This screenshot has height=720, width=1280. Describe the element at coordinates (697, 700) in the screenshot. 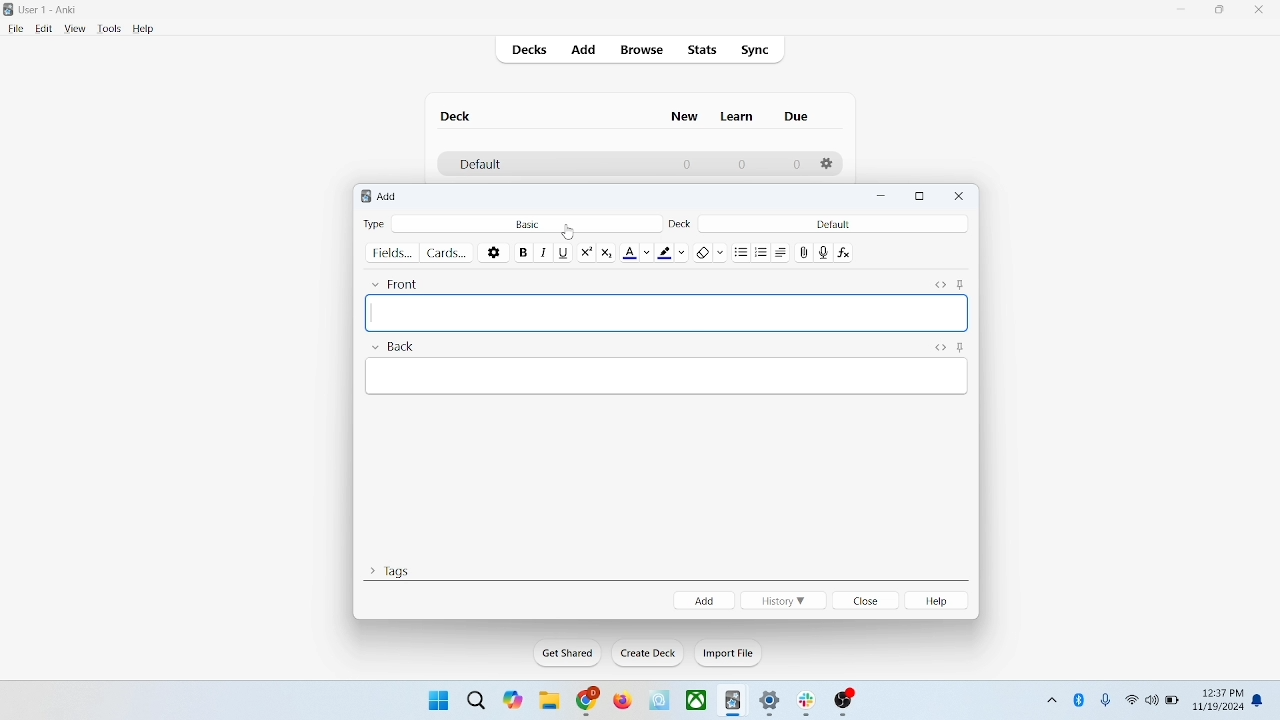

I see `x-box` at that location.